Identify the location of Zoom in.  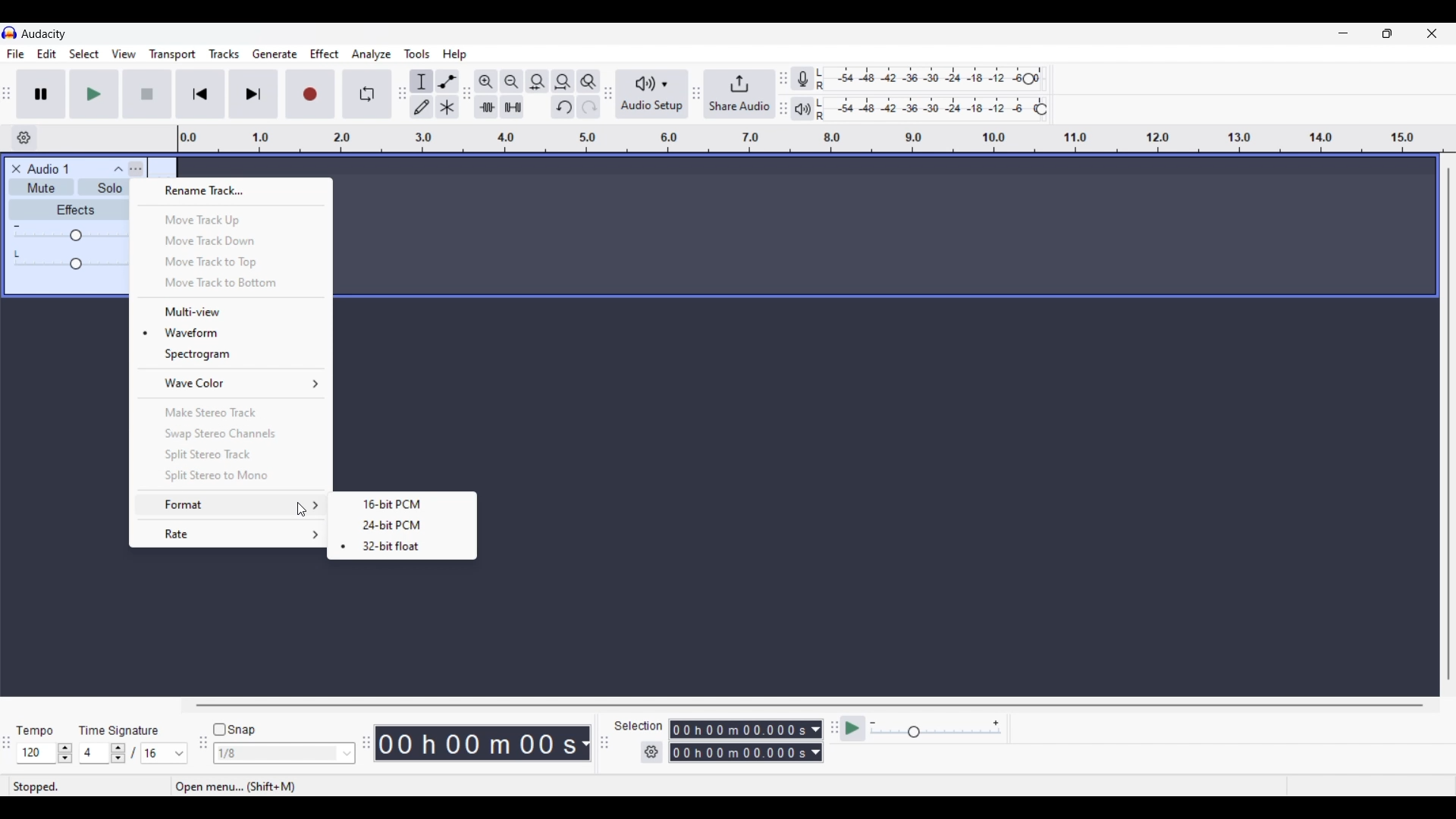
(485, 81).